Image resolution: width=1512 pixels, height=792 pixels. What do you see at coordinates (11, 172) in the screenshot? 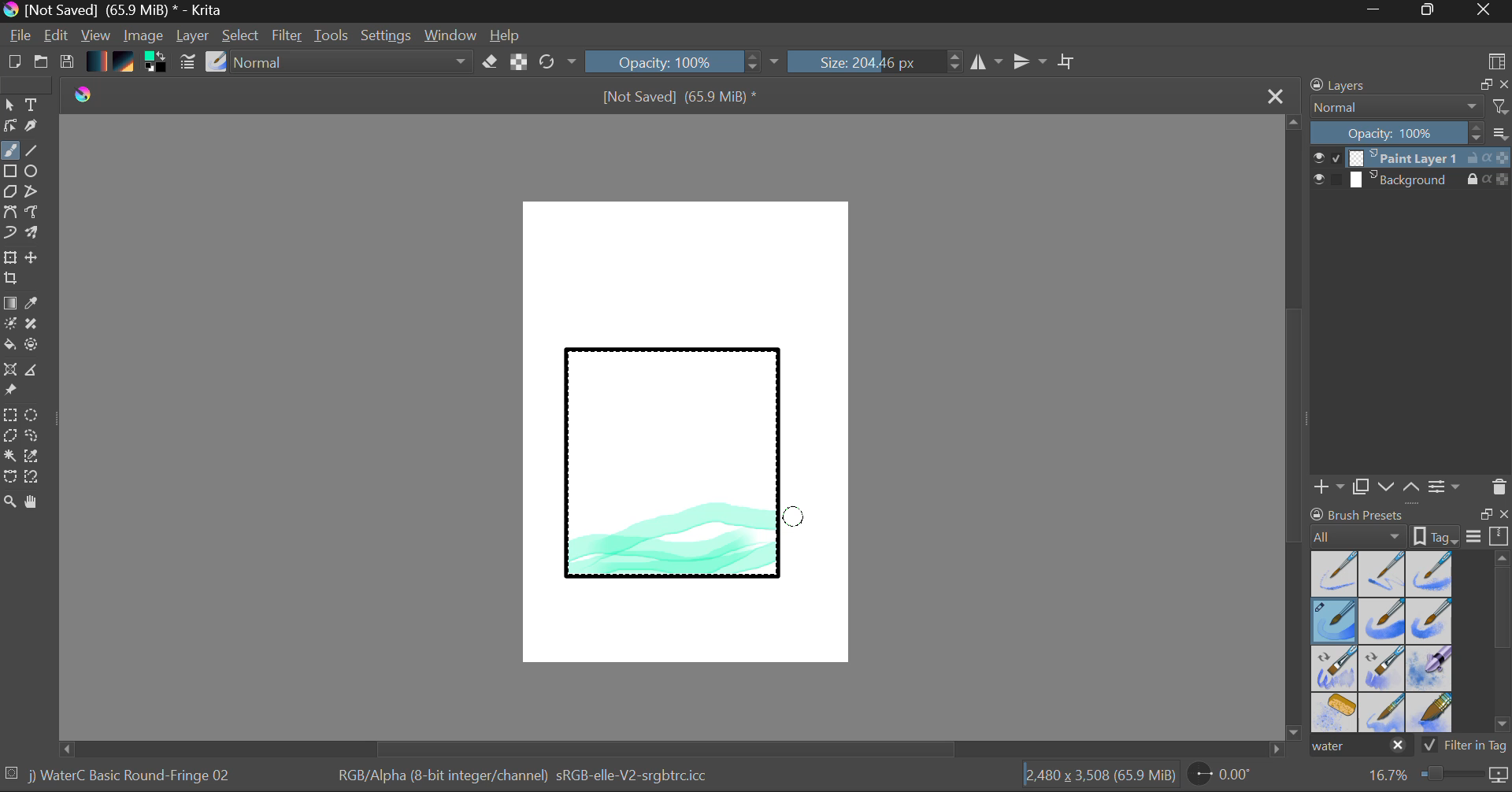
I see `Rectangle` at bounding box center [11, 172].